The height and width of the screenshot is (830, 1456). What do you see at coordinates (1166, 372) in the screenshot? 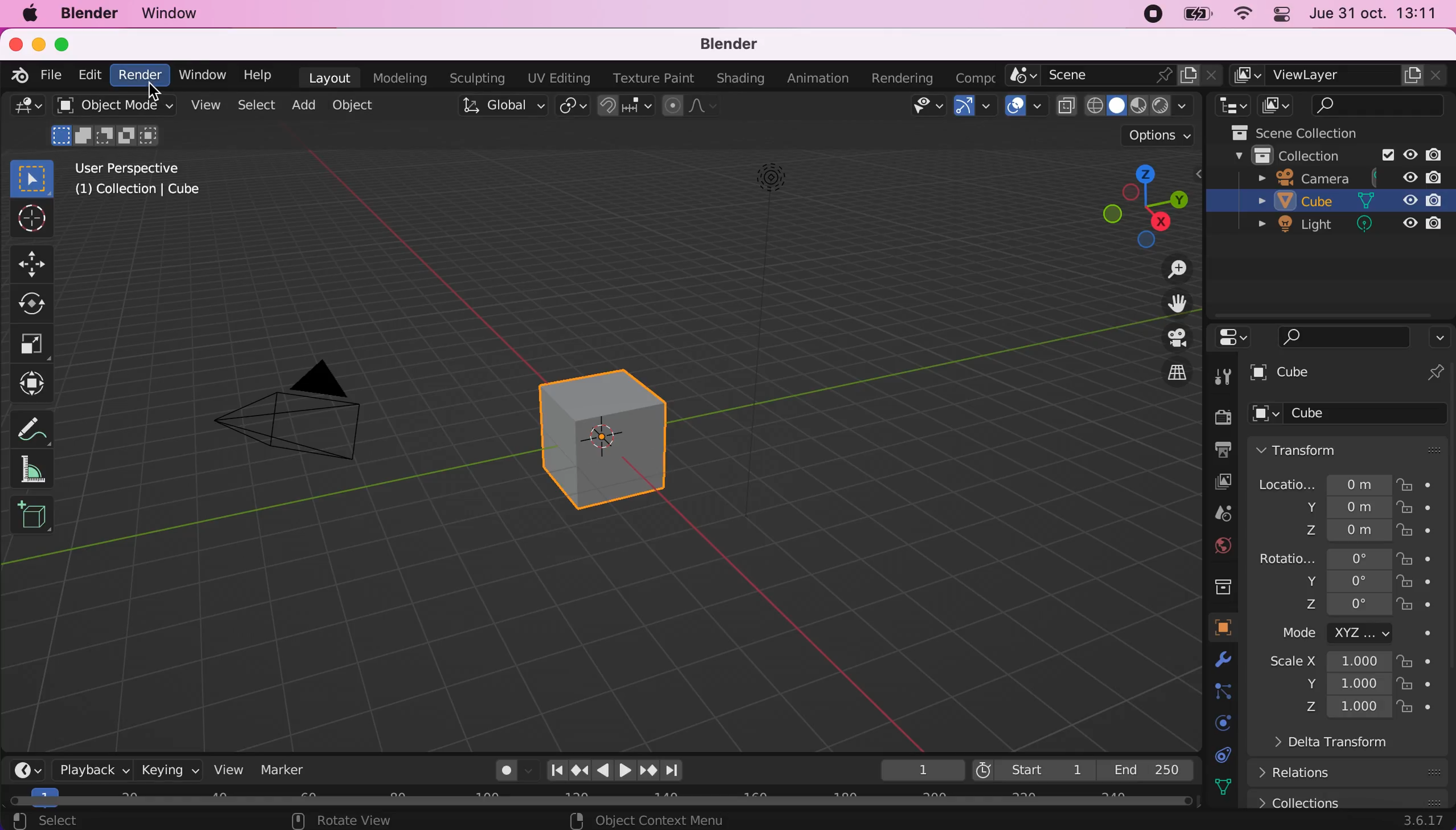
I see `switch the current view` at bounding box center [1166, 372].